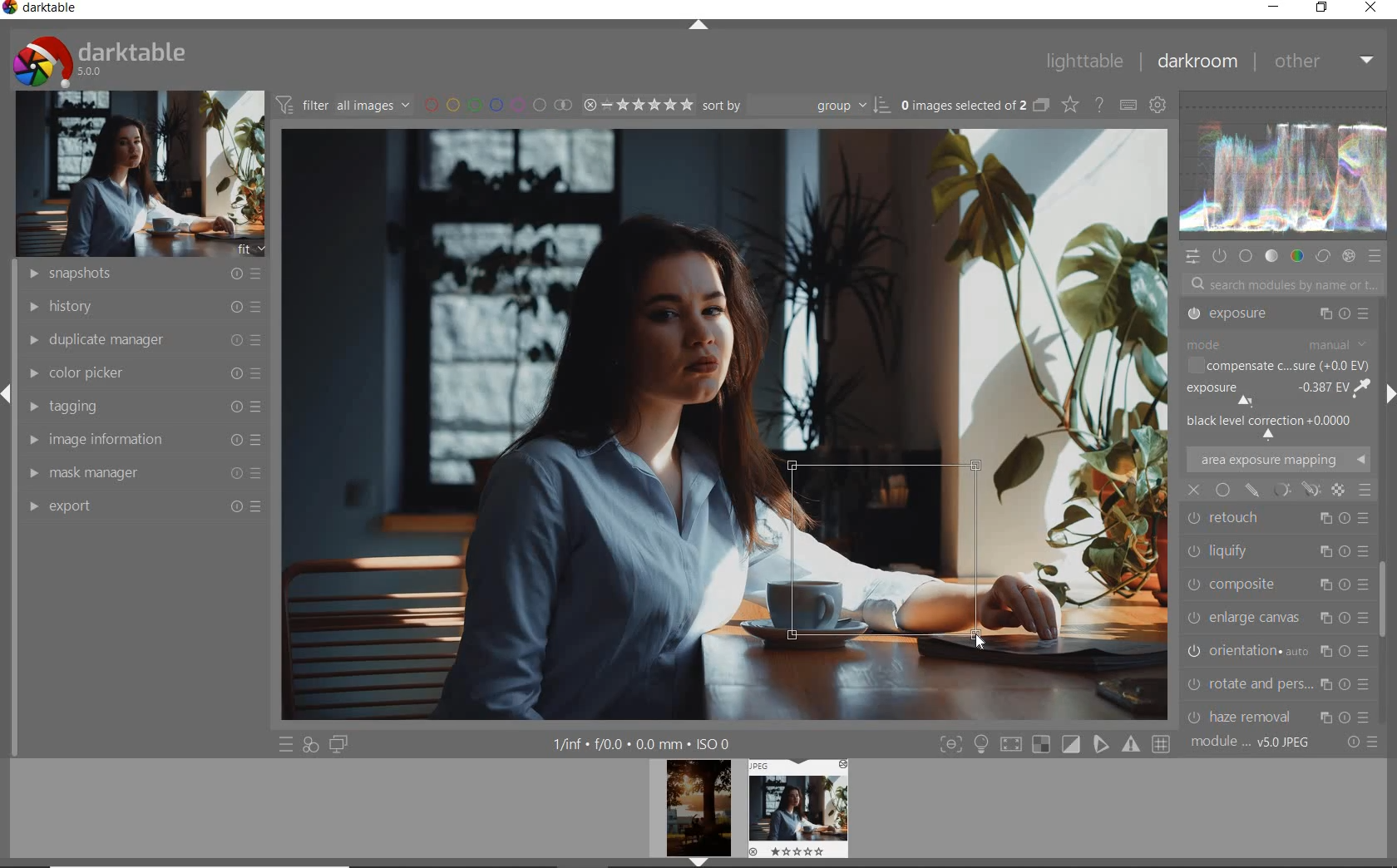 This screenshot has width=1397, height=868. Describe the element at coordinates (1129, 106) in the screenshot. I see `DEFINE KEYBOARD SHORTCUT` at that location.